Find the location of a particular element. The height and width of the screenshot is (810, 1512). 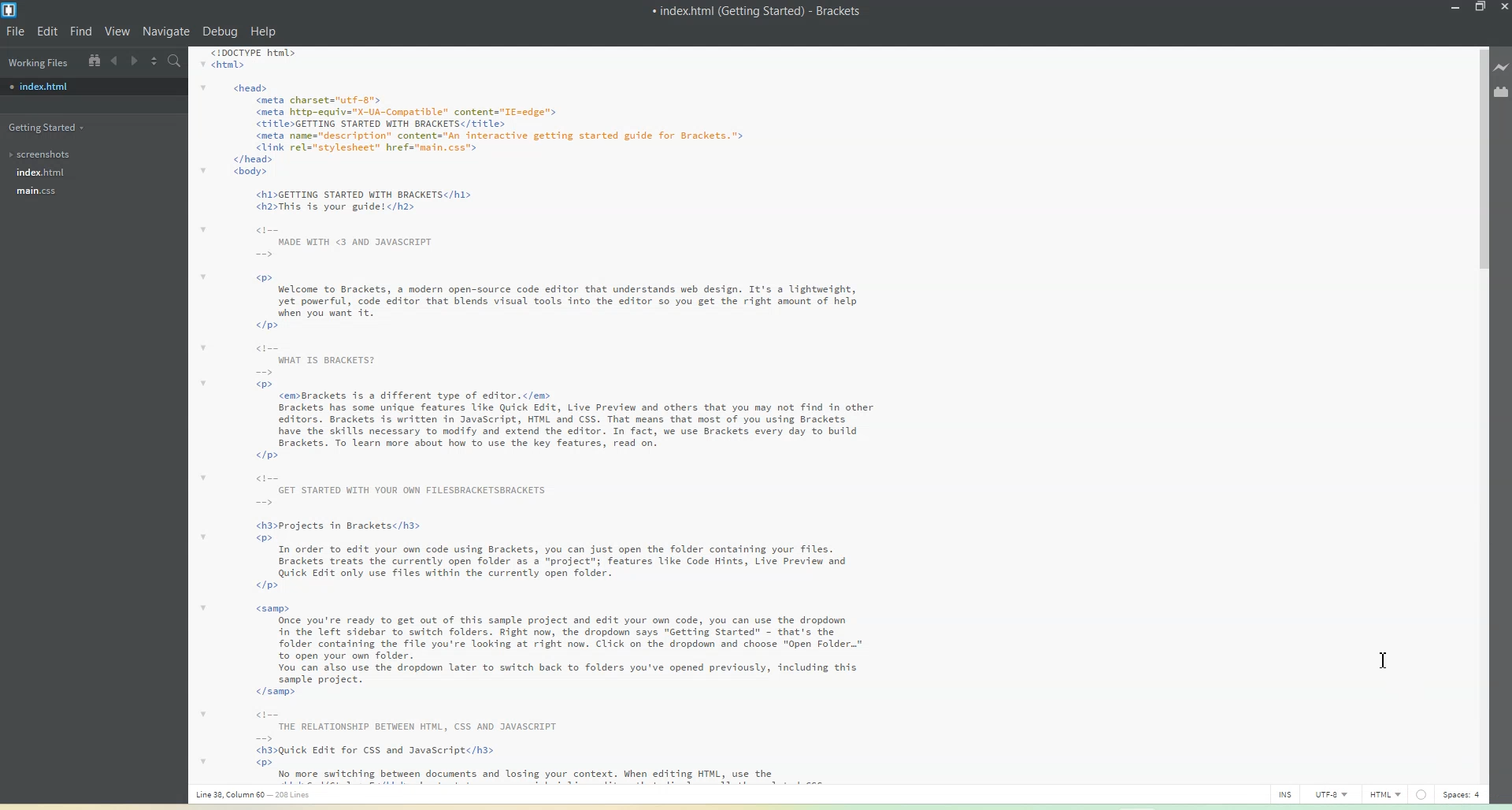

Spaces: 4 is located at coordinates (1462, 794).